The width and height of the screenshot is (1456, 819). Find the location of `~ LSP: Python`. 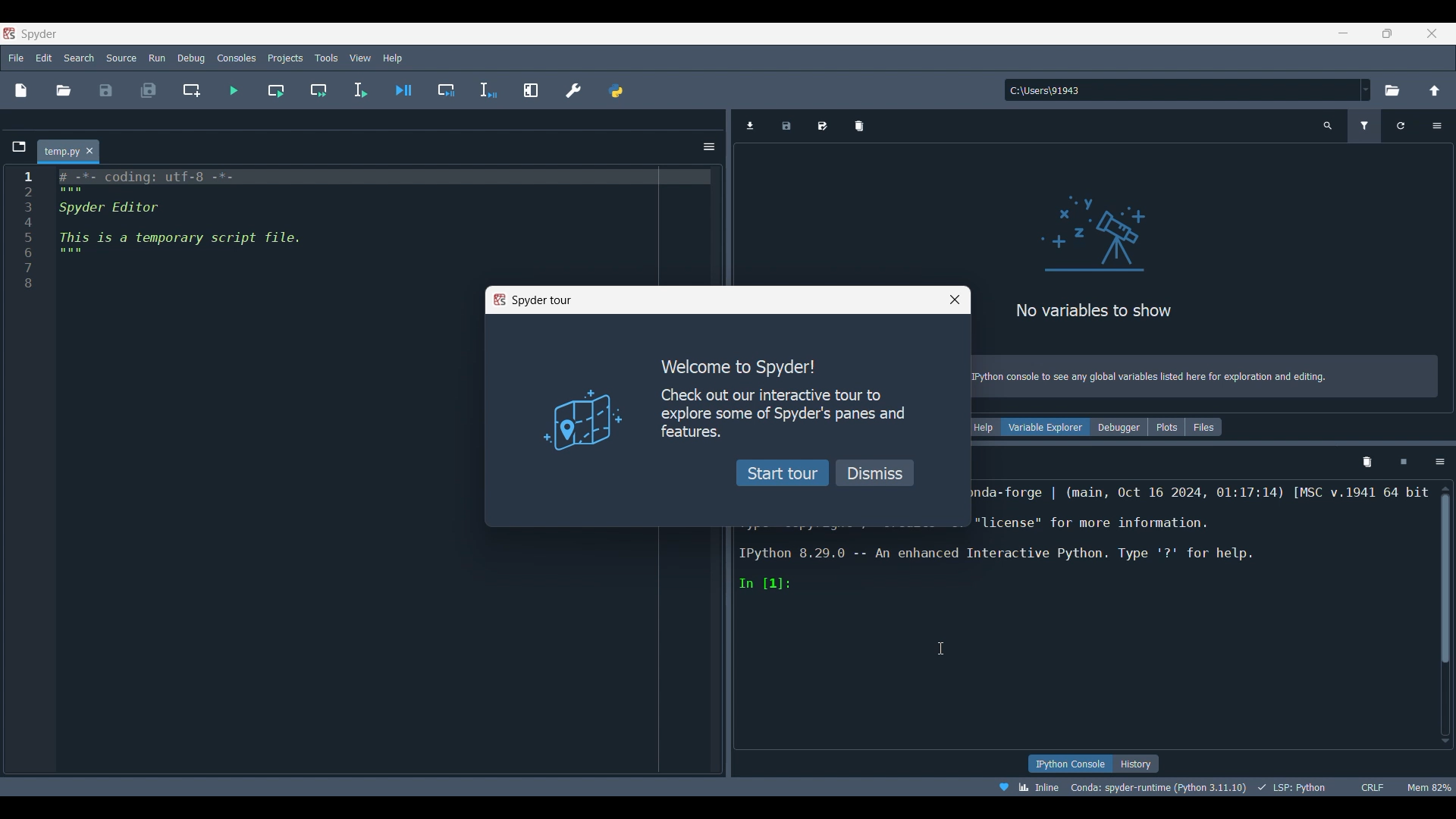

~ LSP: Python is located at coordinates (1297, 785).